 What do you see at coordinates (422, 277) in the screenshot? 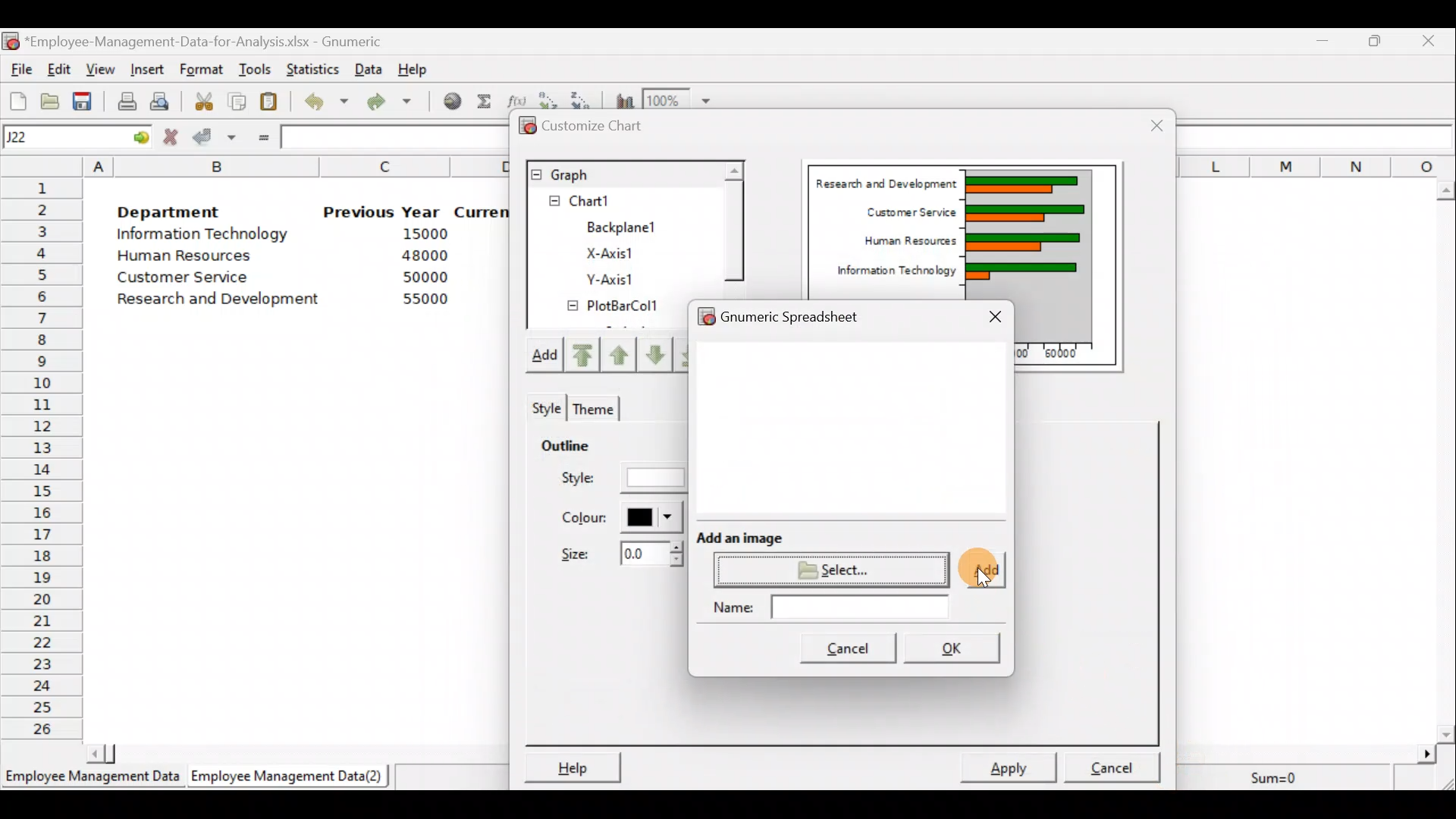
I see `50000` at bounding box center [422, 277].